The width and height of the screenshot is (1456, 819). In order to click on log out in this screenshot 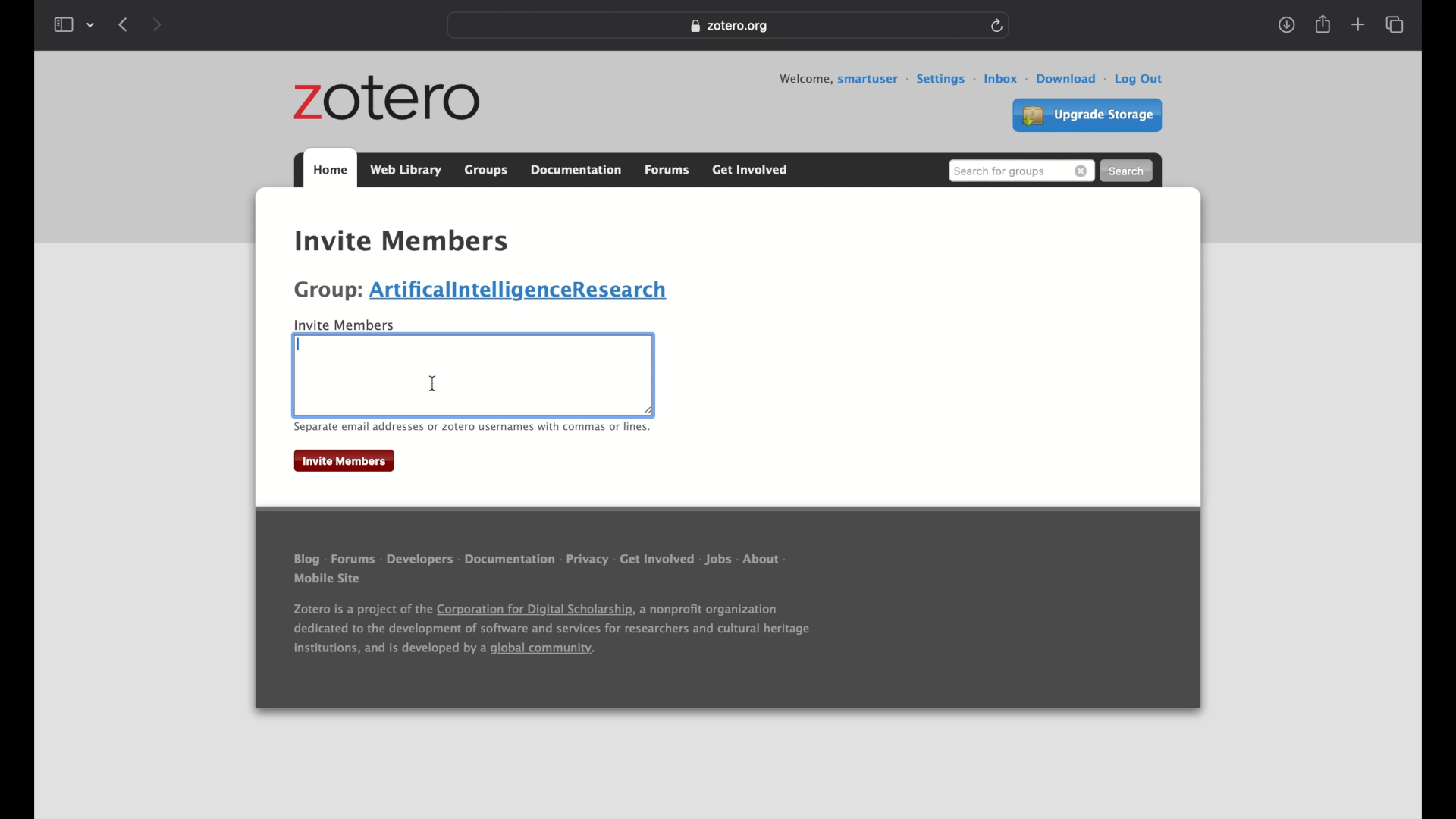, I will do `click(1141, 80)`.